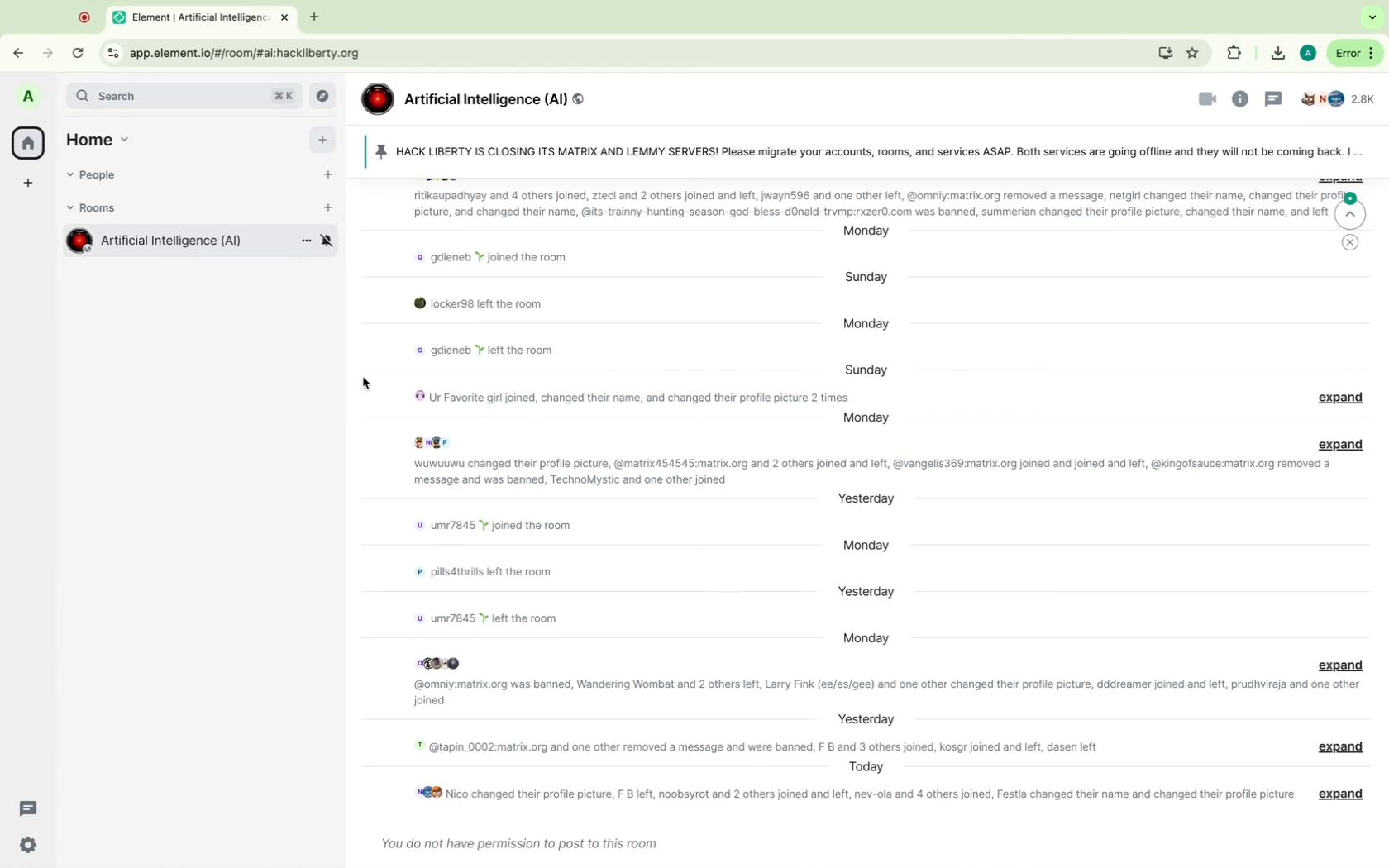 This screenshot has height=868, width=1389. I want to click on day, so click(862, 768).